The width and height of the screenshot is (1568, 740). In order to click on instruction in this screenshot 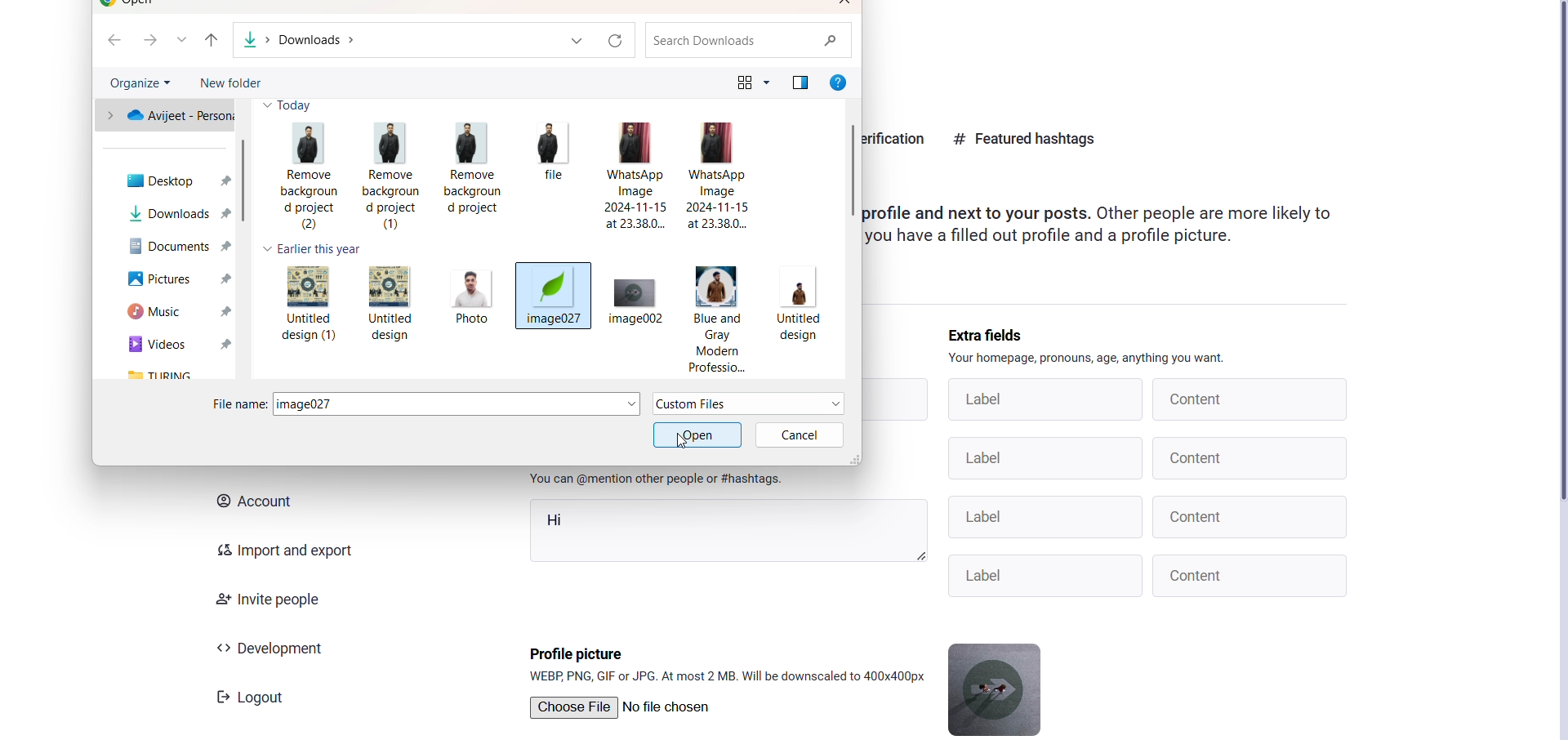, I will do `click(656, 480)`.